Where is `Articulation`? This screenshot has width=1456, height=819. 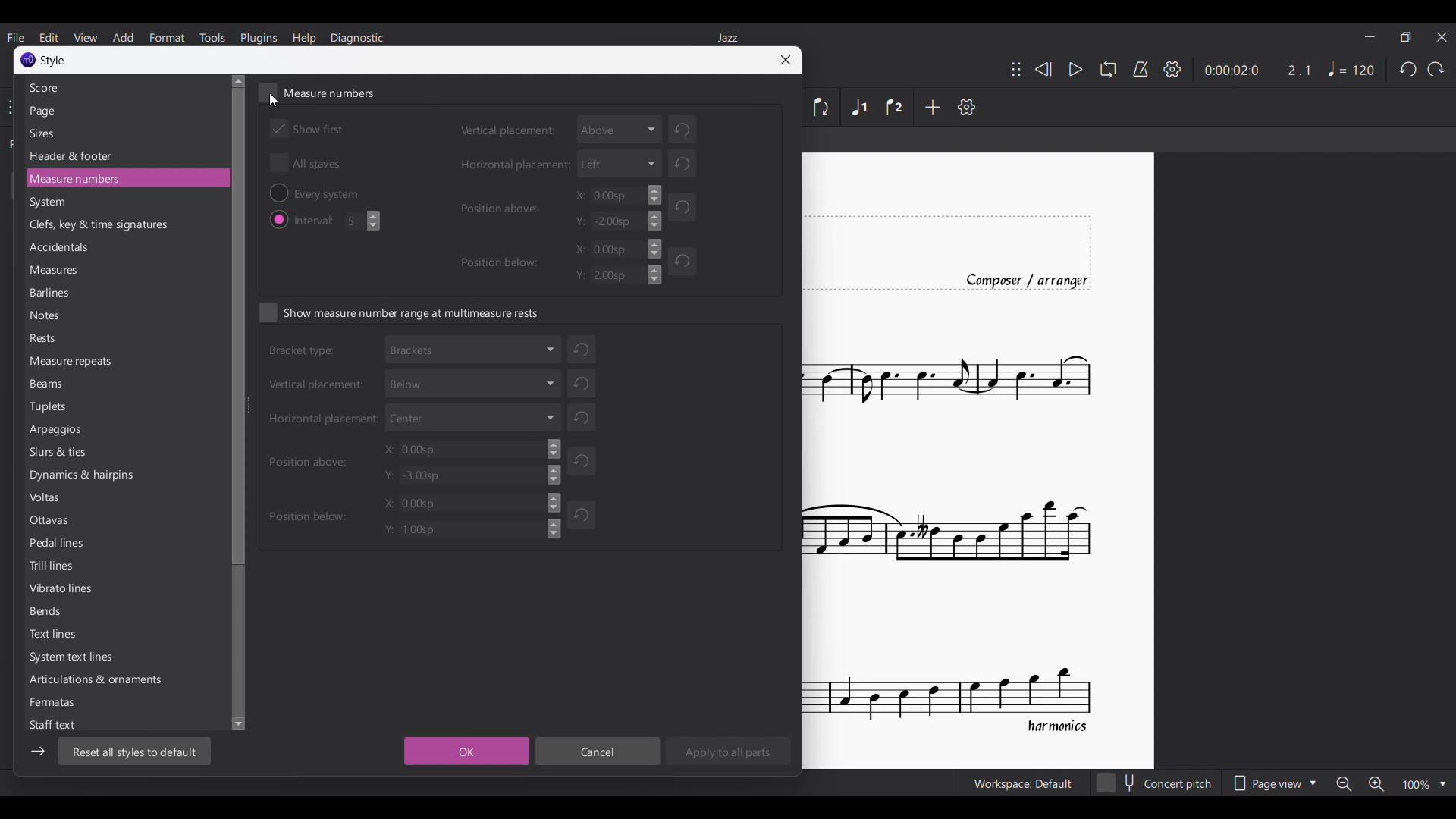 Articulation is located at coordinates (113, 679).